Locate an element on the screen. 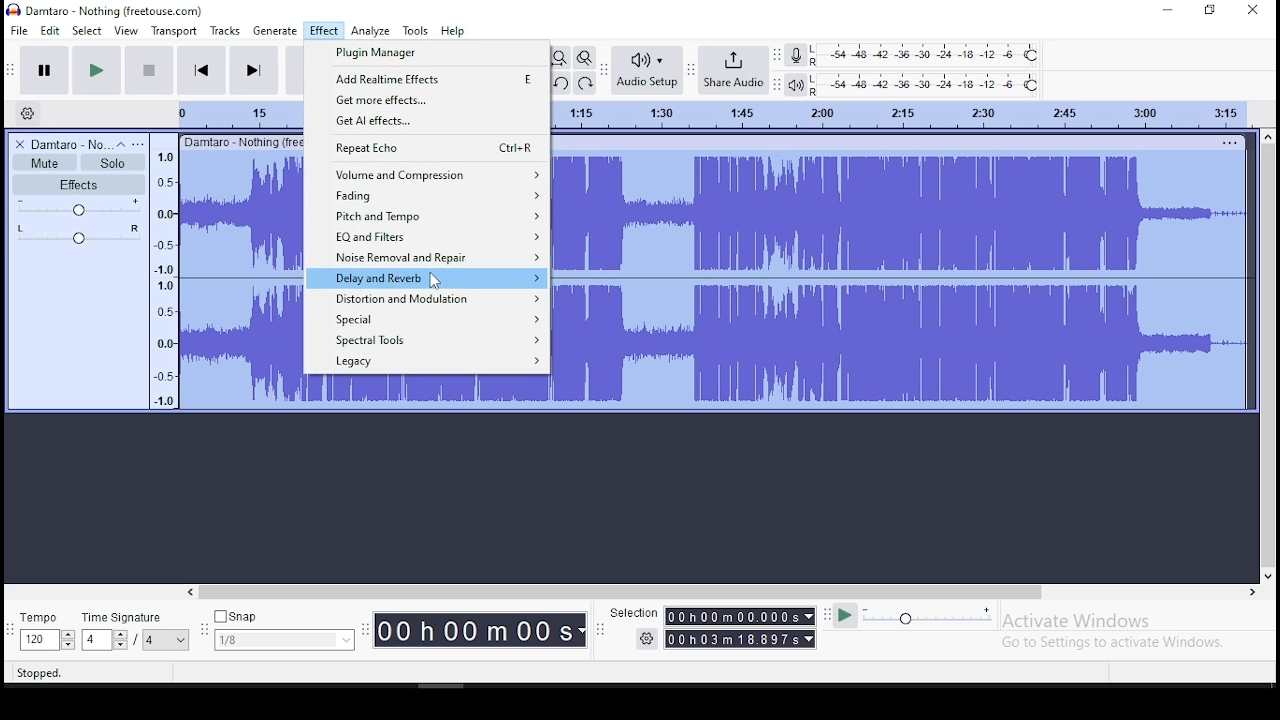 This screenshot has height=720, width=1280. file is located at coordinates (18, 29).